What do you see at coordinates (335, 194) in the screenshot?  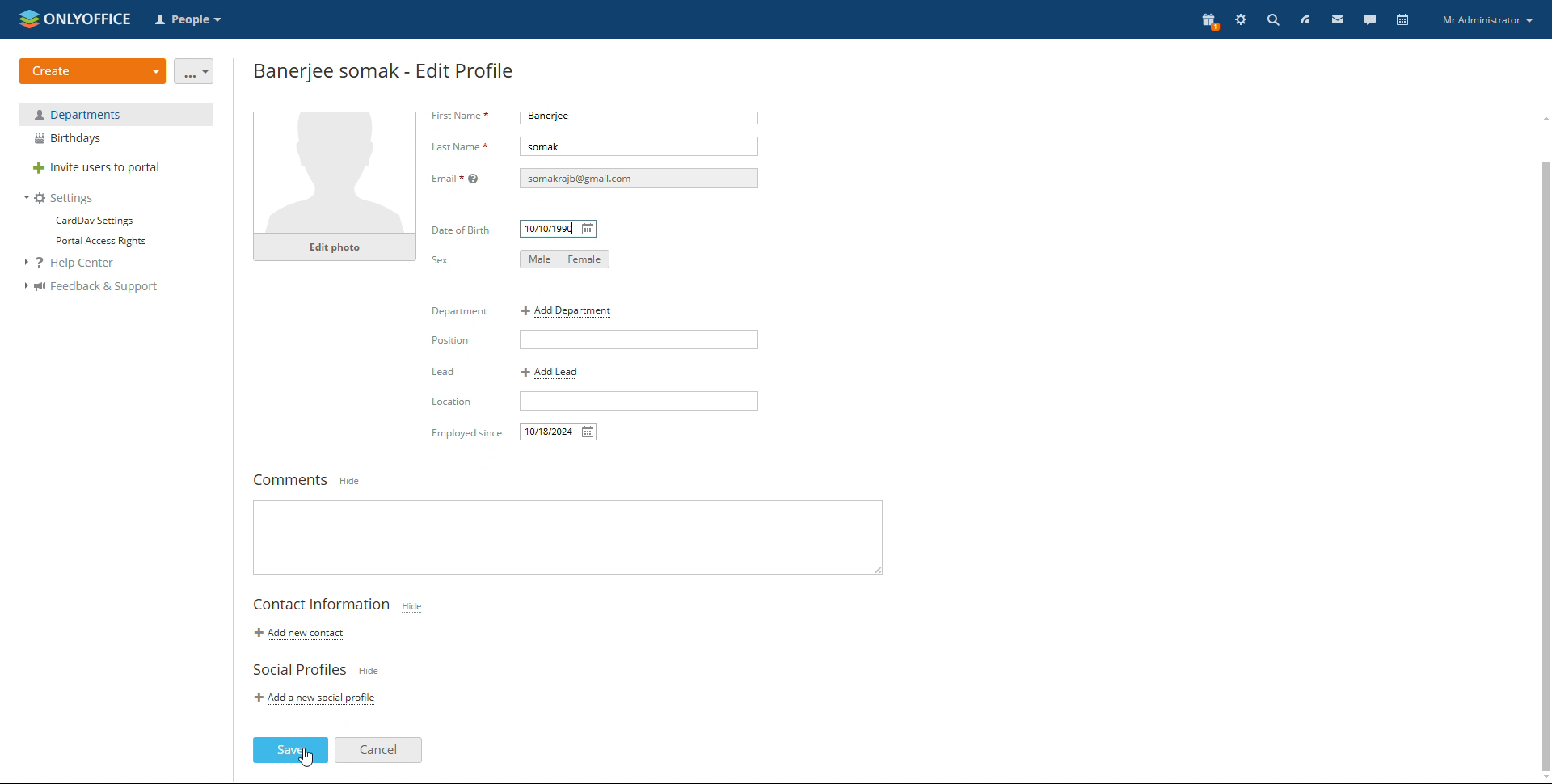 I see `profile photo` at bounding box center [335, 194].